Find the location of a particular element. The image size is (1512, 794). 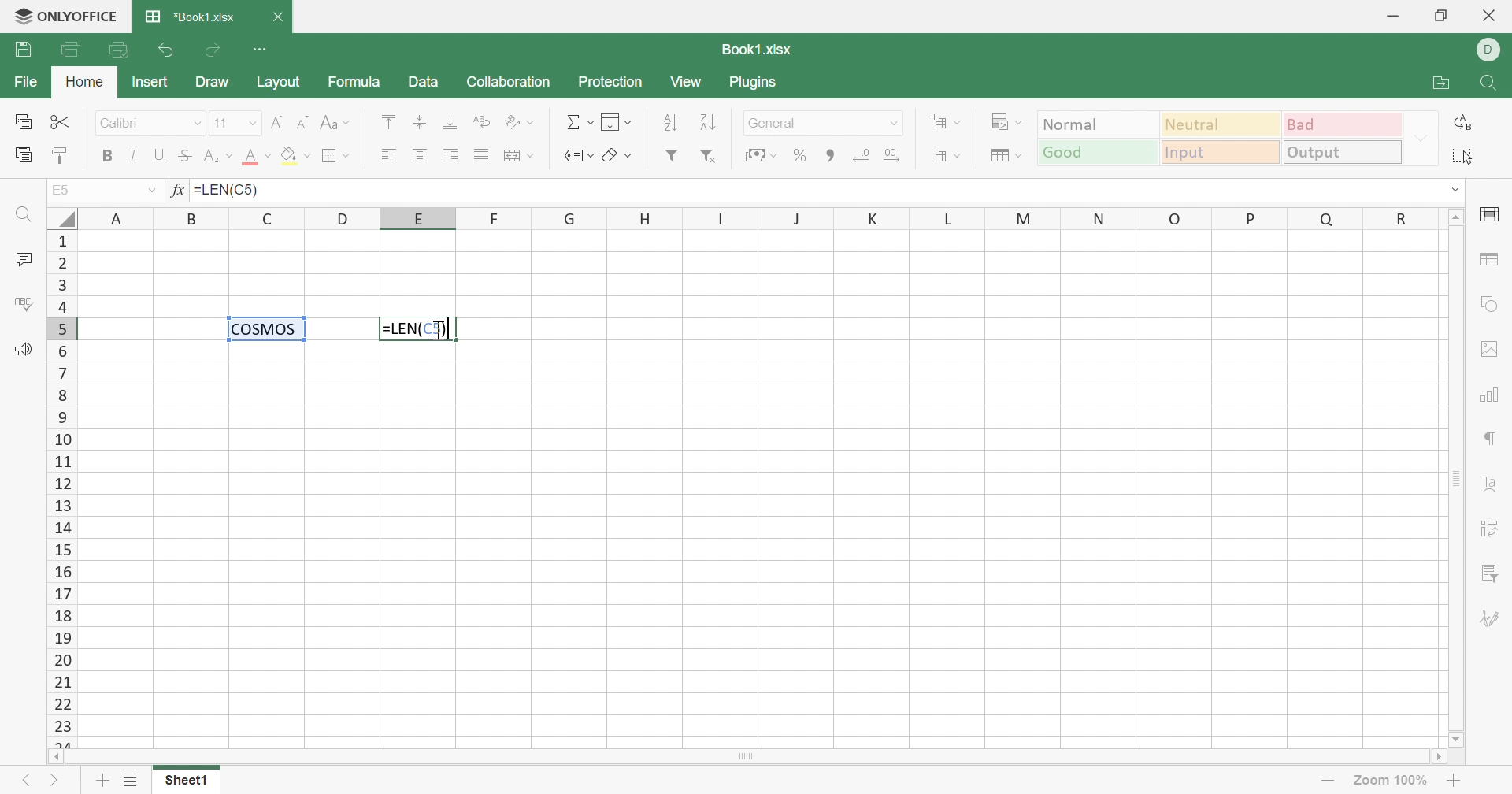

Borders is located at coordinates (338, 157).